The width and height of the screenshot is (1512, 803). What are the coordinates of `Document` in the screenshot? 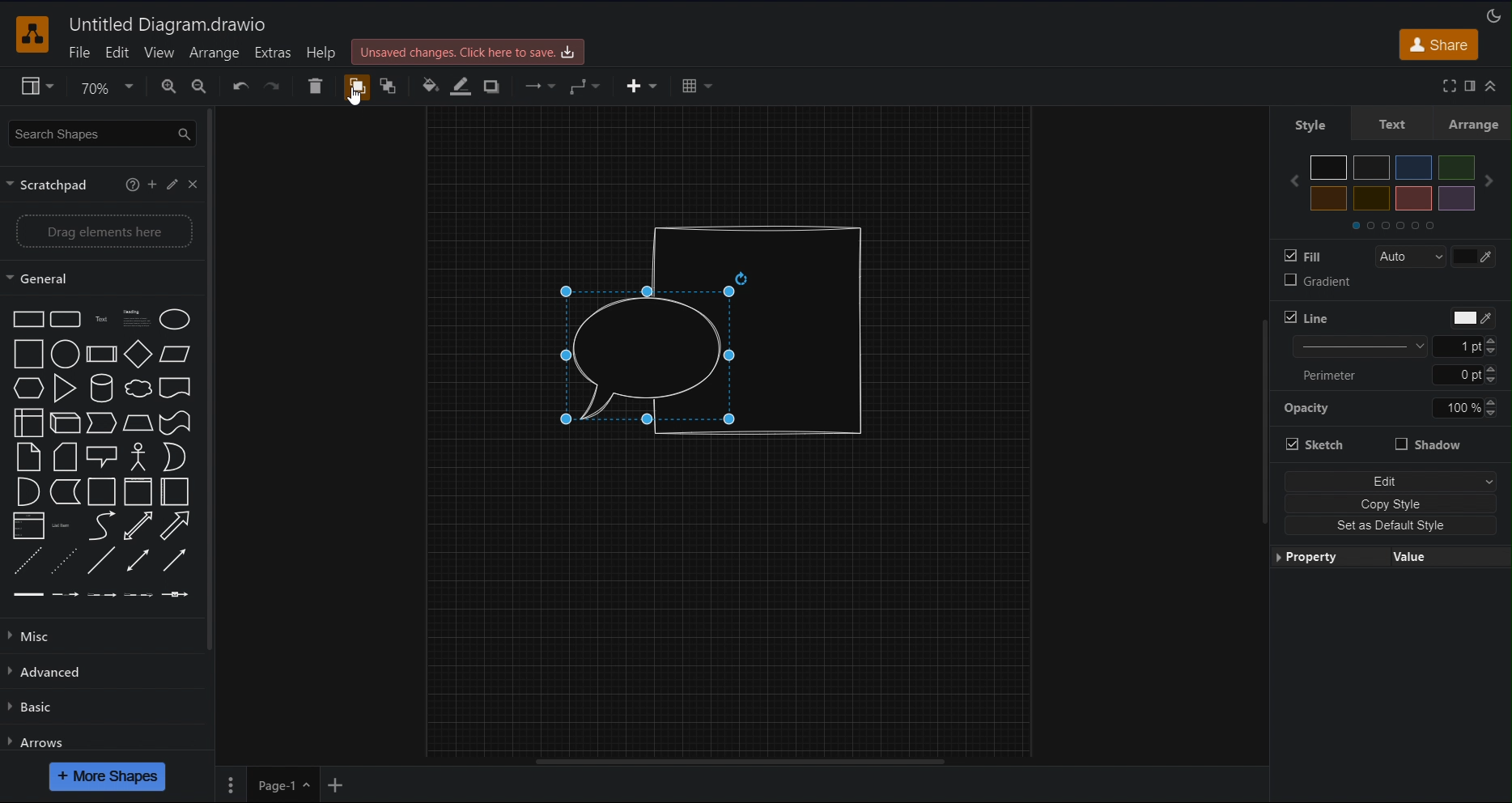 It's located at (175, 389).